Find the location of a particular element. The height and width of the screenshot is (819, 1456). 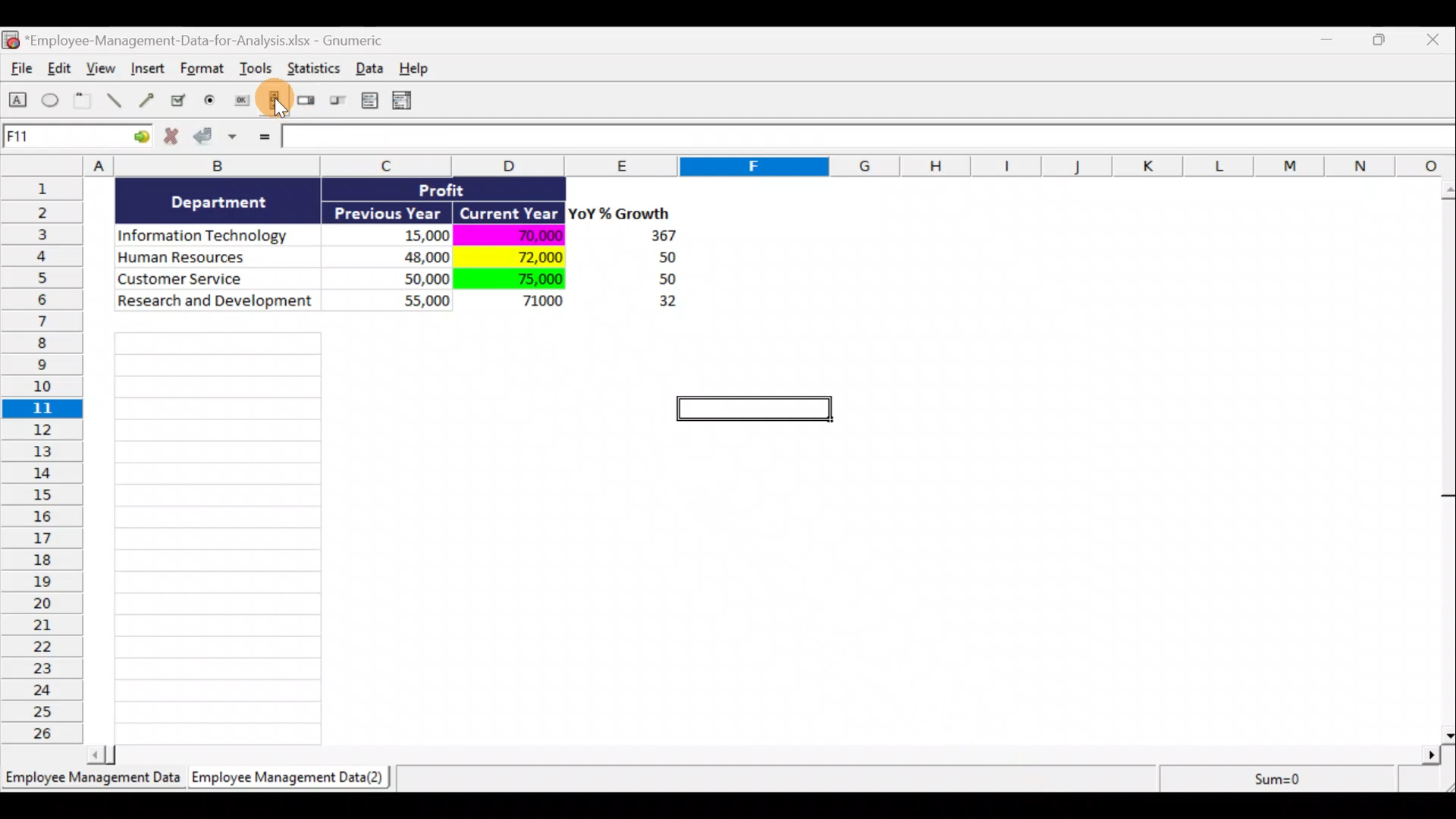

Rows is located at coordinates (46, 459).